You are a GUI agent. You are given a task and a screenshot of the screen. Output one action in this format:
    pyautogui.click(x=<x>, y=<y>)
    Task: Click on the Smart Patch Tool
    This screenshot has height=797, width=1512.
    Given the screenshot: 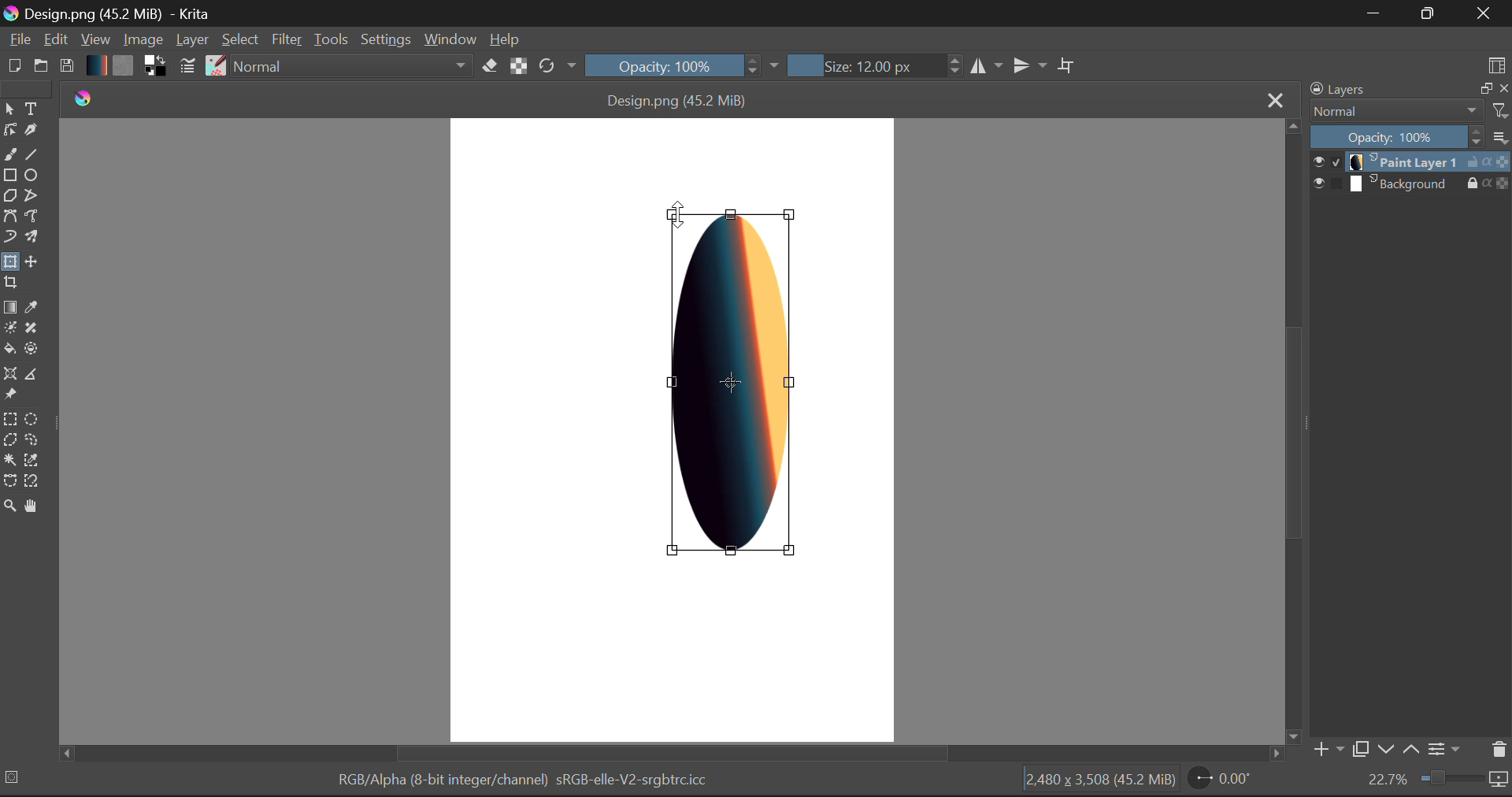 What is the action you would take?
    pyautogui.click(x=32, y=328)
    